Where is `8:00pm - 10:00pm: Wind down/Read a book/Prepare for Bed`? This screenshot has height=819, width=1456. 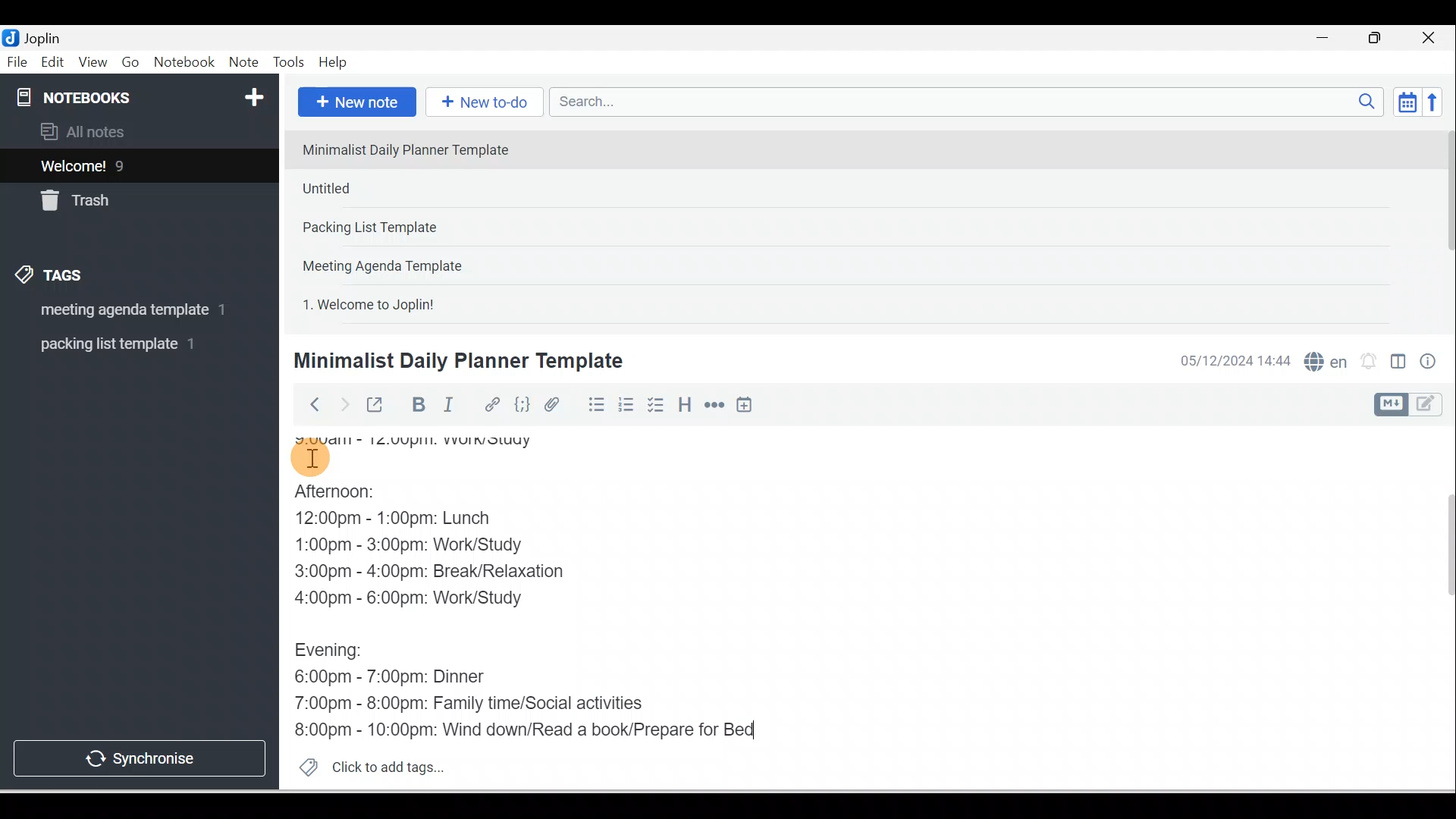 8:00pm - 10:00pm: Wind down/Read a book/Prepare for Bed is located at coordinates (526, 726).